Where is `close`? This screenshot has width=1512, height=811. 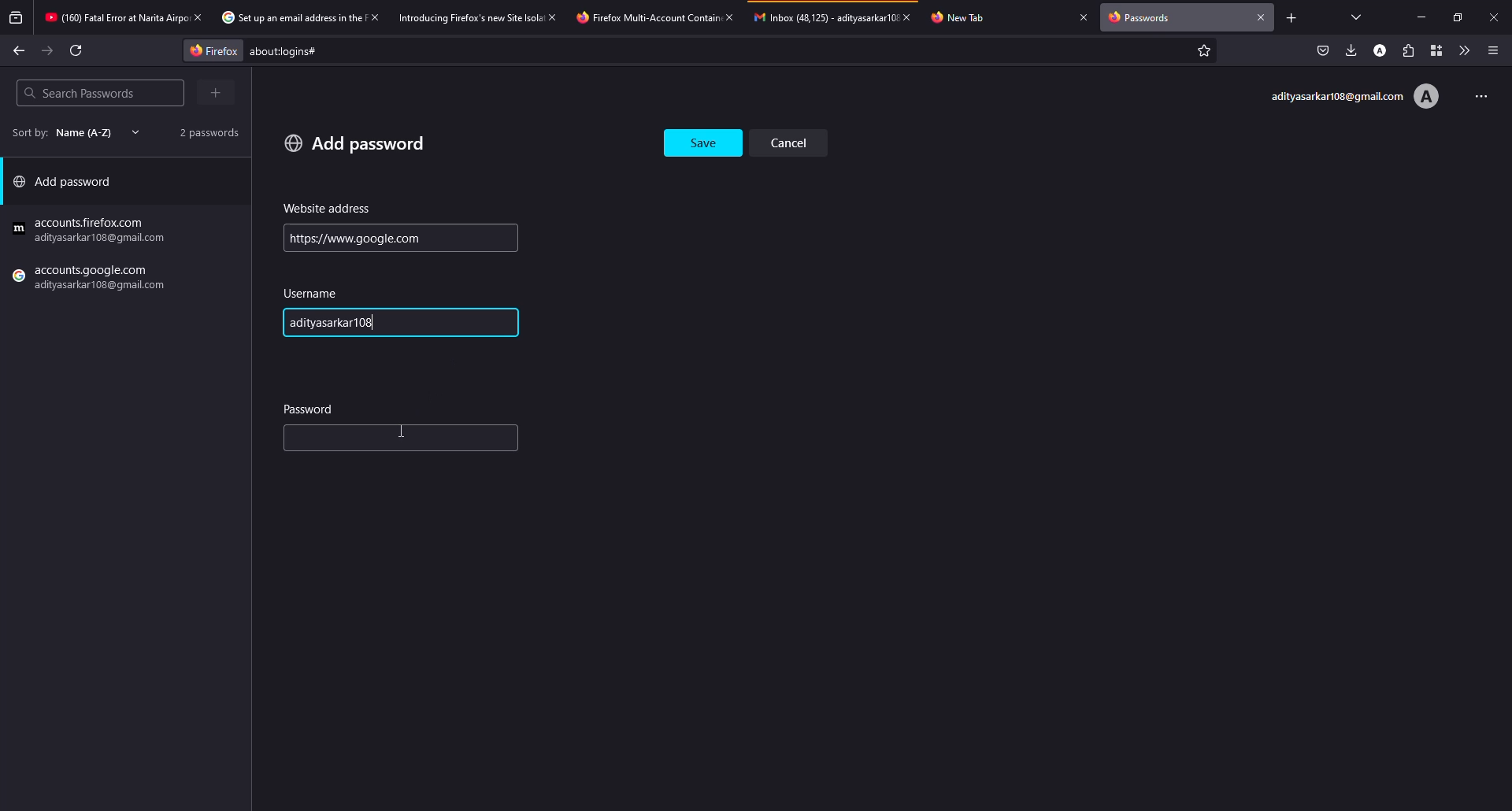 close is located at coordinates (728, 17).